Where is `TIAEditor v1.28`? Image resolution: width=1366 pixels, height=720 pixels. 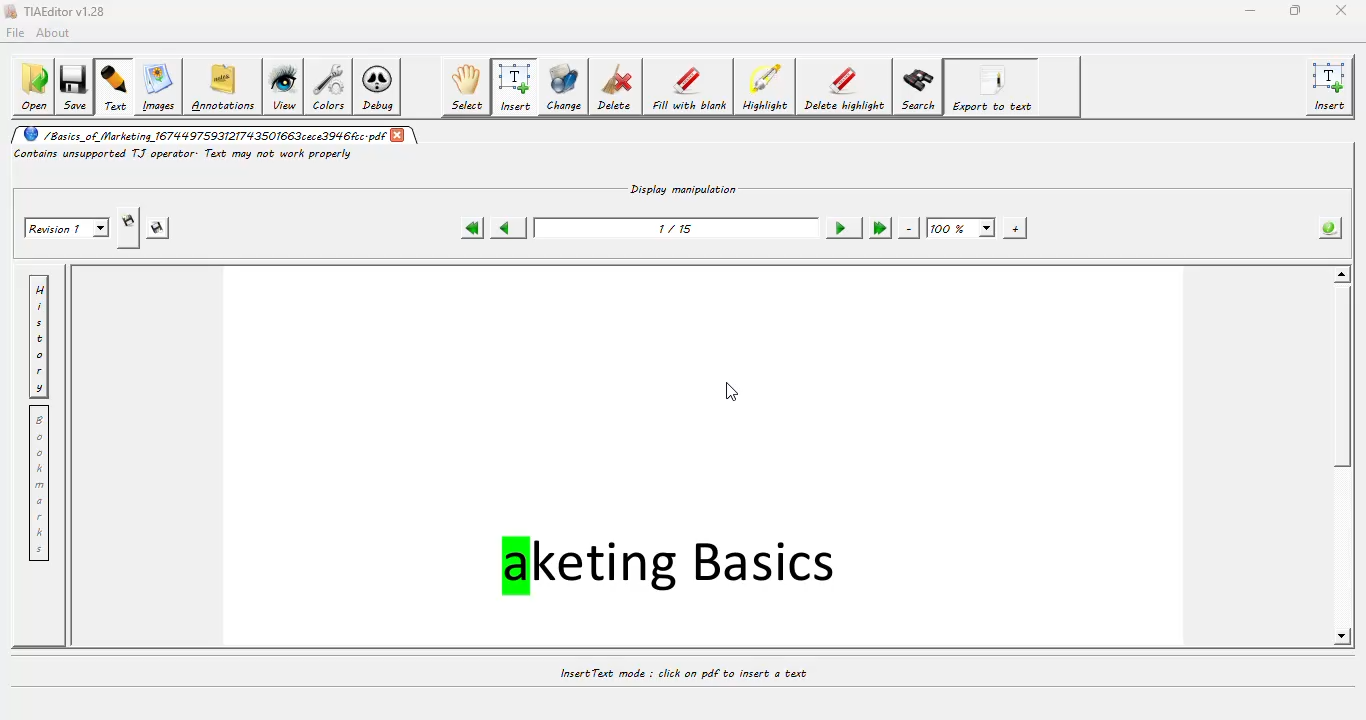 TIAEditor v1.28 is located at coordinates (56, 12).